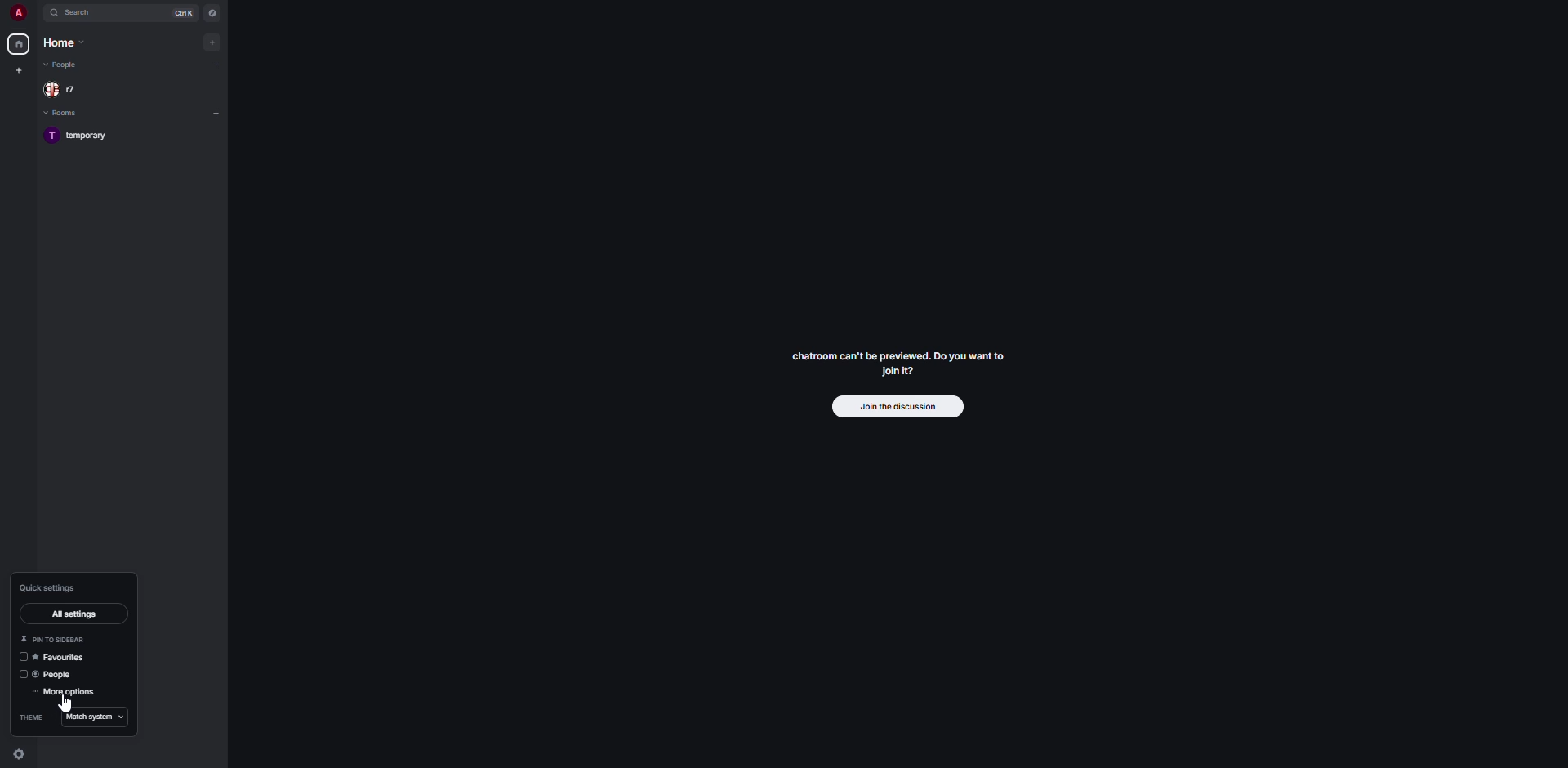 The height and width of the screenshot is (768, 1568). Describe the element at coordinates (78, 614) in the screenshot. I see `all settings` at that location.